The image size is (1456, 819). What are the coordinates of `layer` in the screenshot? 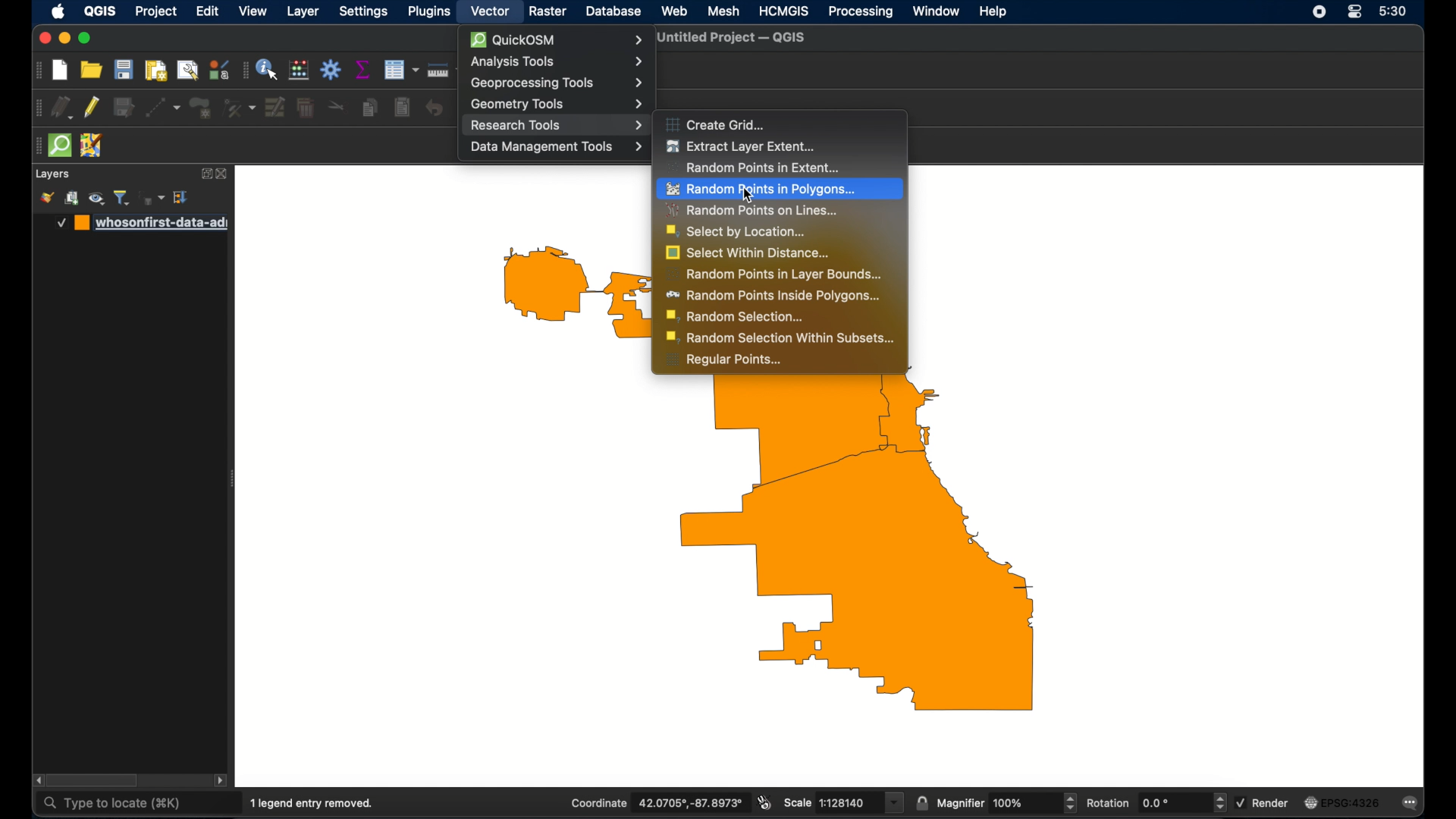 It's located at (303, 11).